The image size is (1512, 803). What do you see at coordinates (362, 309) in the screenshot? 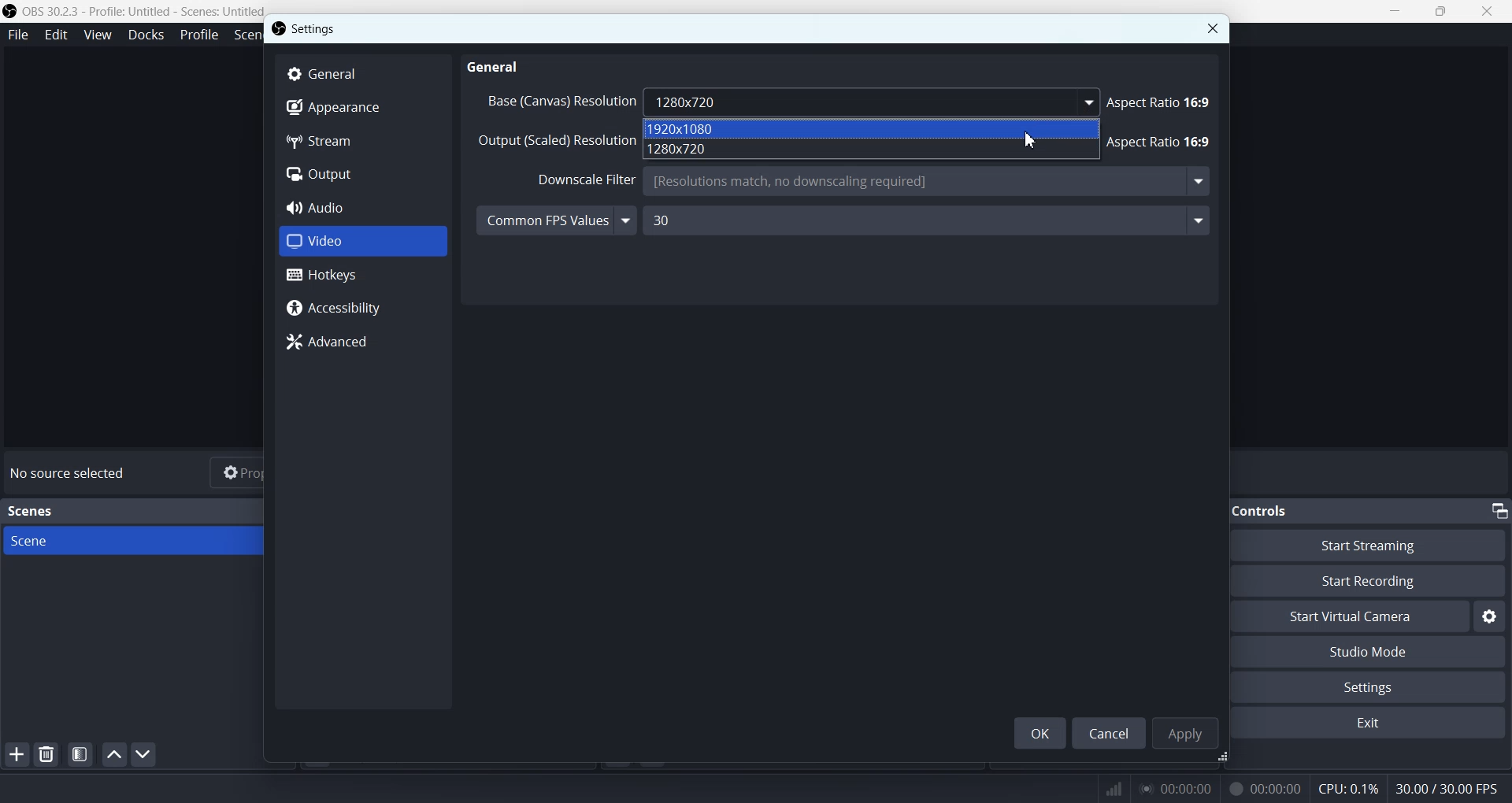
I see `Accessibility` at bounding box center [362, 309].